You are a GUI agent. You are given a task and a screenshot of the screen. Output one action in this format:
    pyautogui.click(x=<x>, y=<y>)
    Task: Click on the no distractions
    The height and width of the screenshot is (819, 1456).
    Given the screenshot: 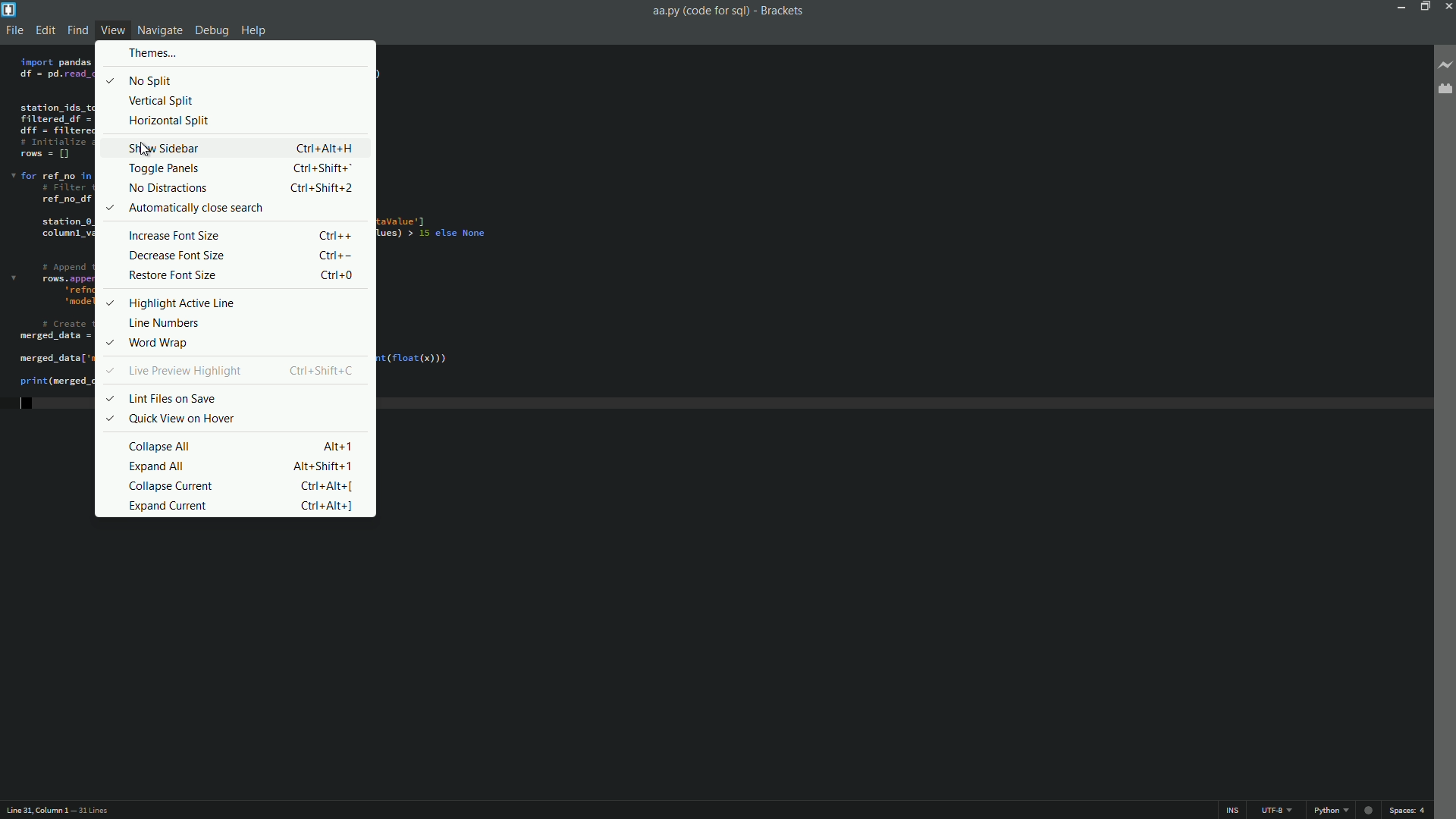 What is the action you would take?
    pyautogui.click(x=242, y=189)
    